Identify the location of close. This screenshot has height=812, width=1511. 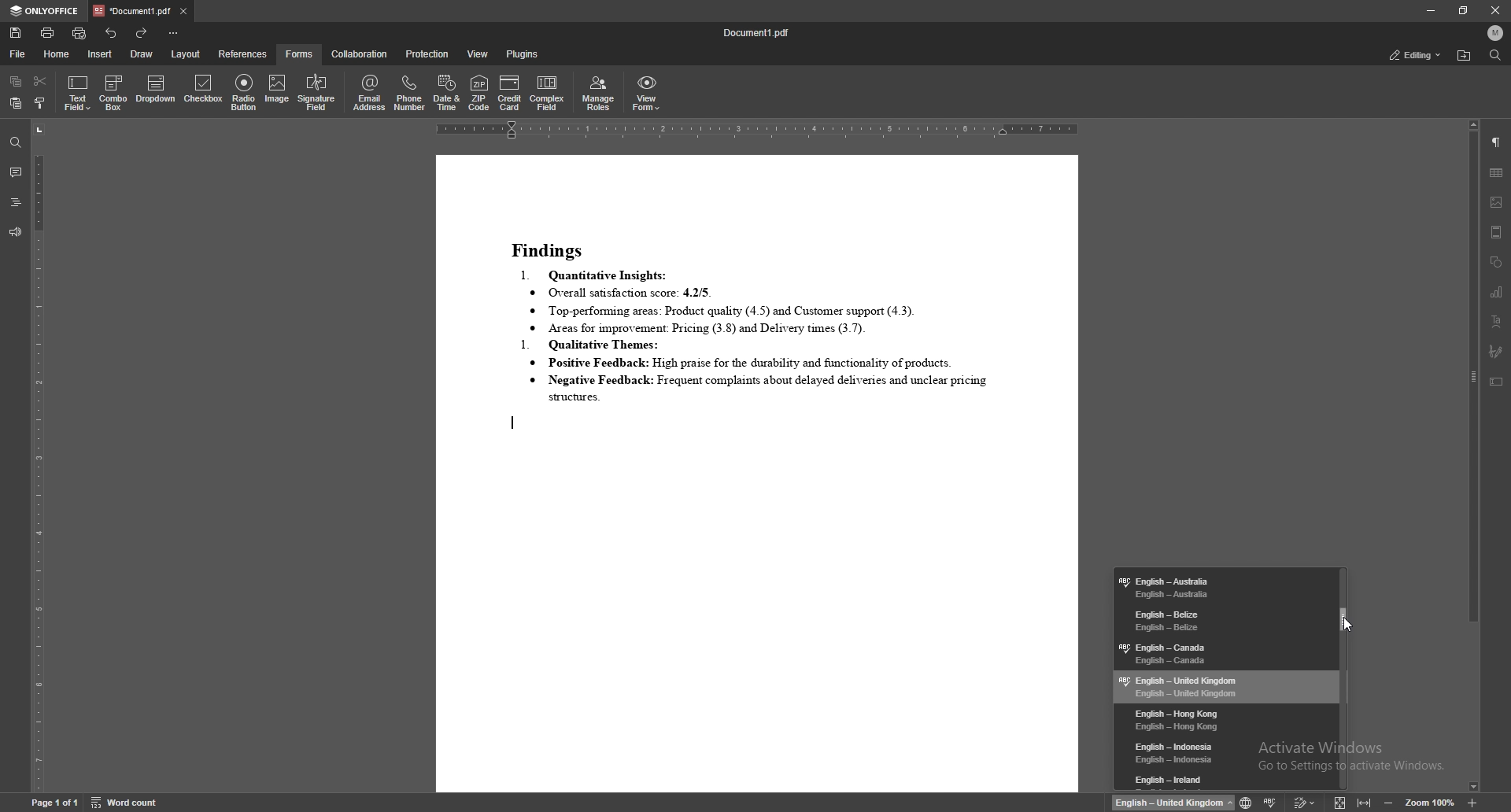
(1493, 10).